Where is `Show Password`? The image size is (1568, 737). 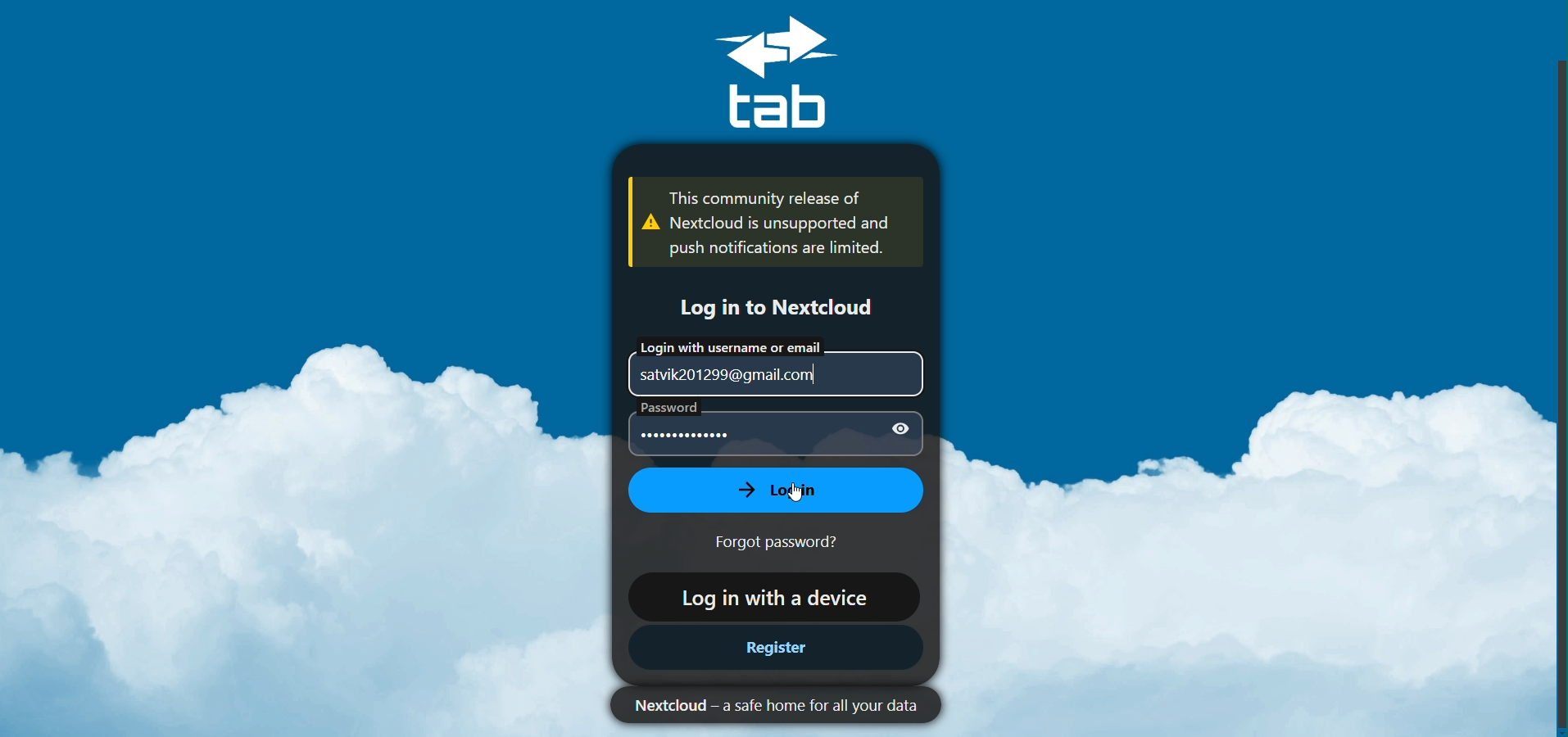
Show Password is located at coordinates (898, 430).